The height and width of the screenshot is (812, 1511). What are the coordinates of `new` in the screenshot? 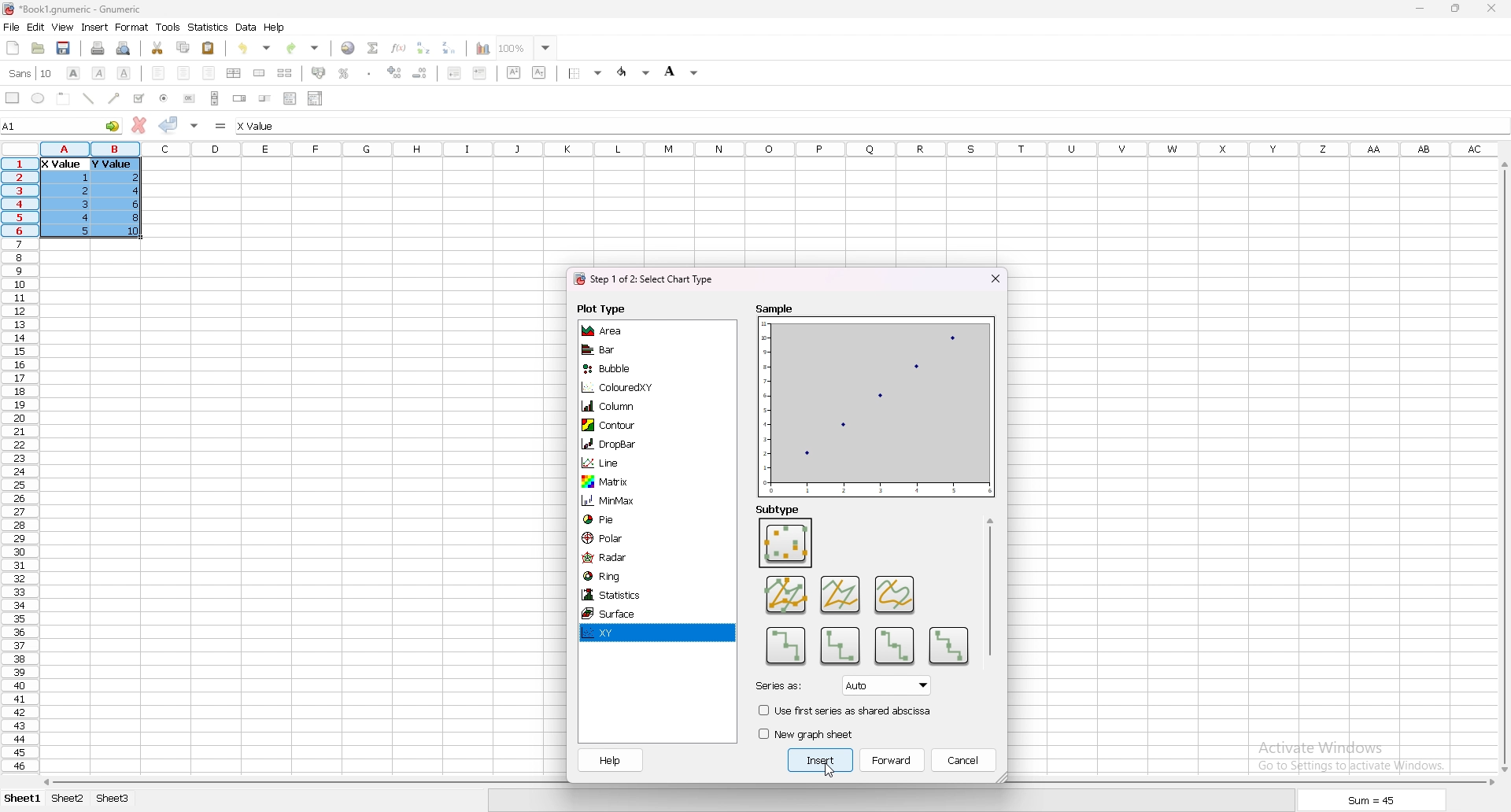 It's located at (13, 47).